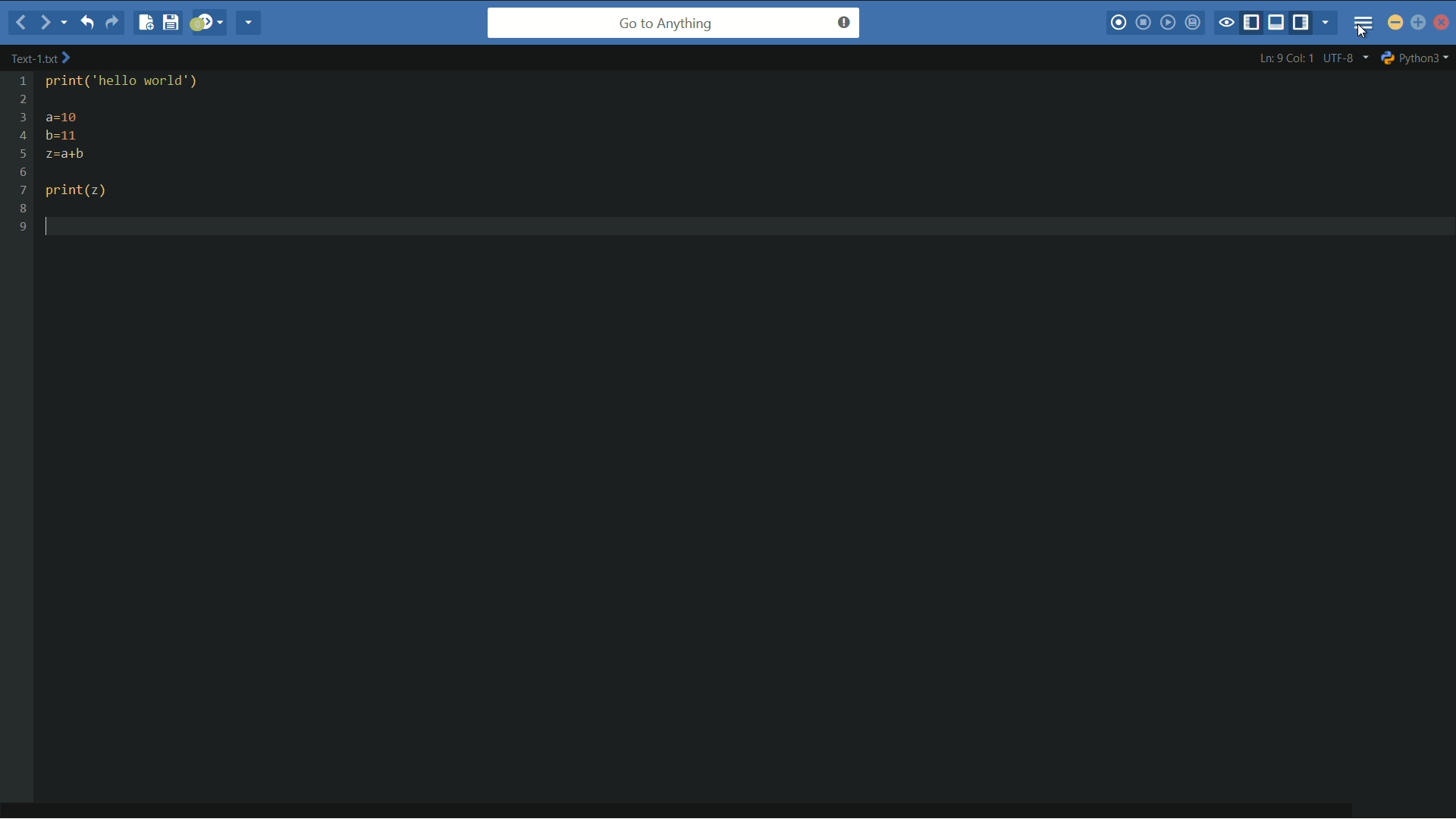  What do you see at coordinates (1285, 58) in the screenshot?
I see `ln:9 col:1` at bounding box center [1285, 58].